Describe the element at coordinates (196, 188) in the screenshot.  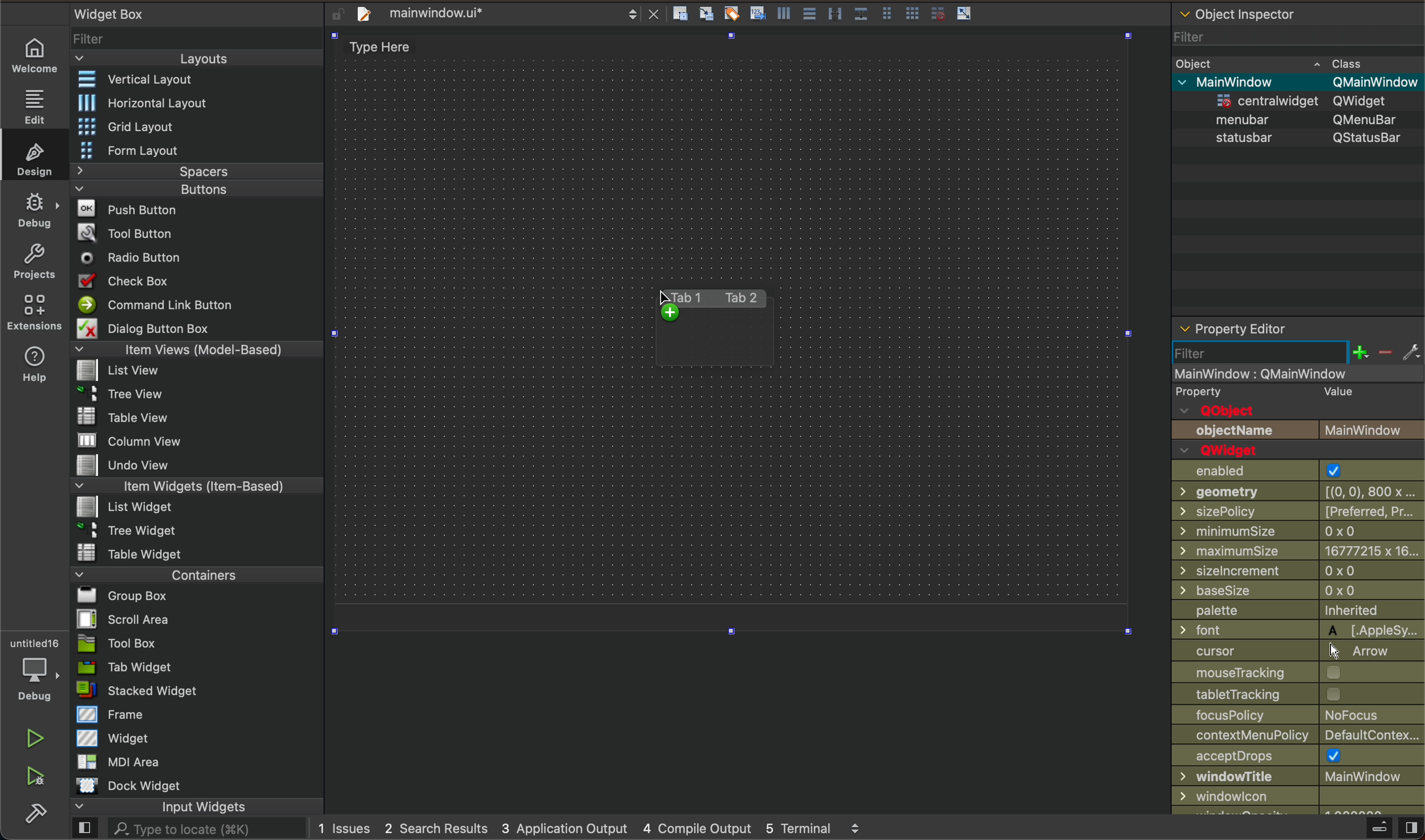
I see `Buttons` at that location.